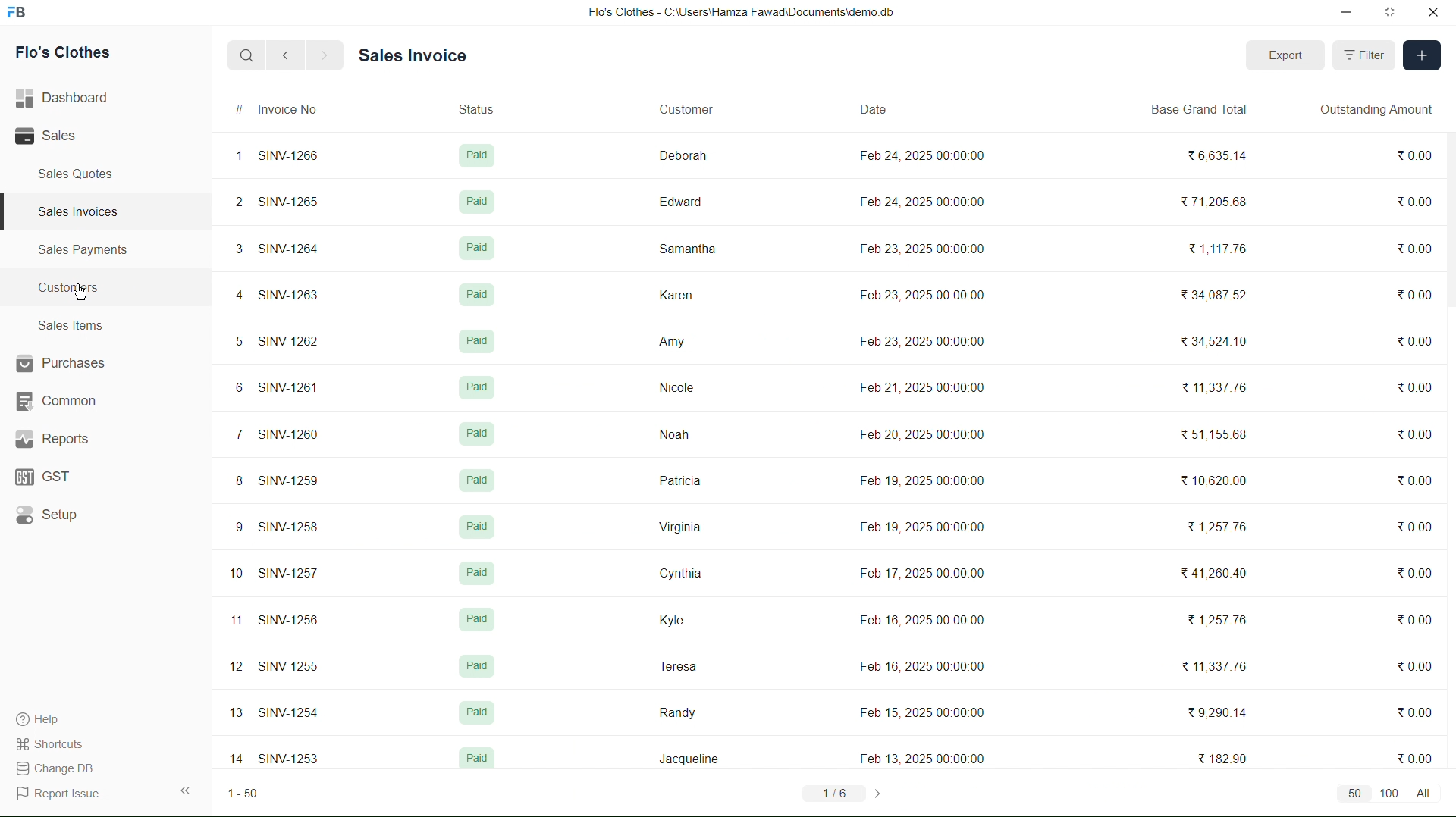  Describe the element at coordinates (294, 618) in the screenshot. I see `SINV-1256` at that location.